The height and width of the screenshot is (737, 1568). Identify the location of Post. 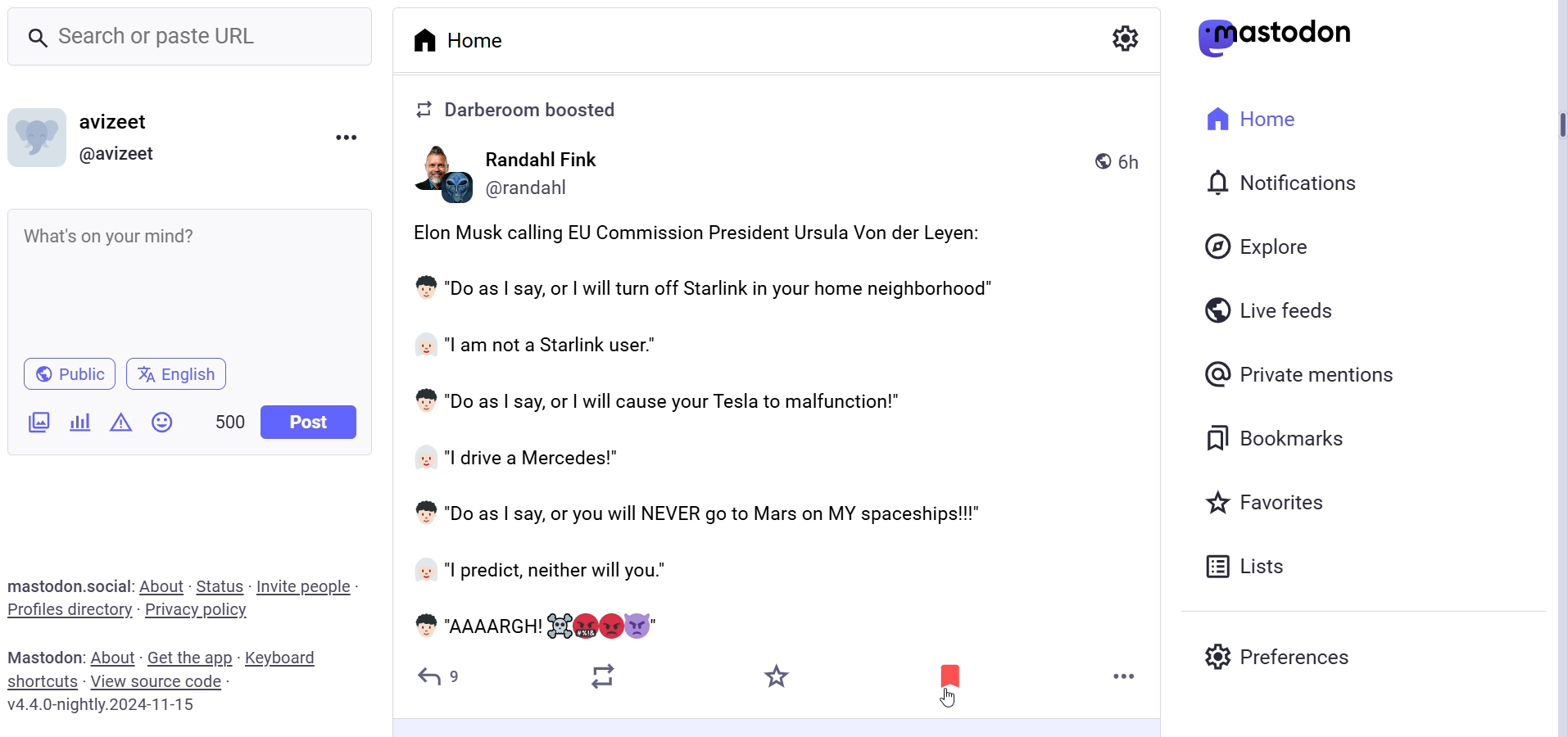
(310, 423).